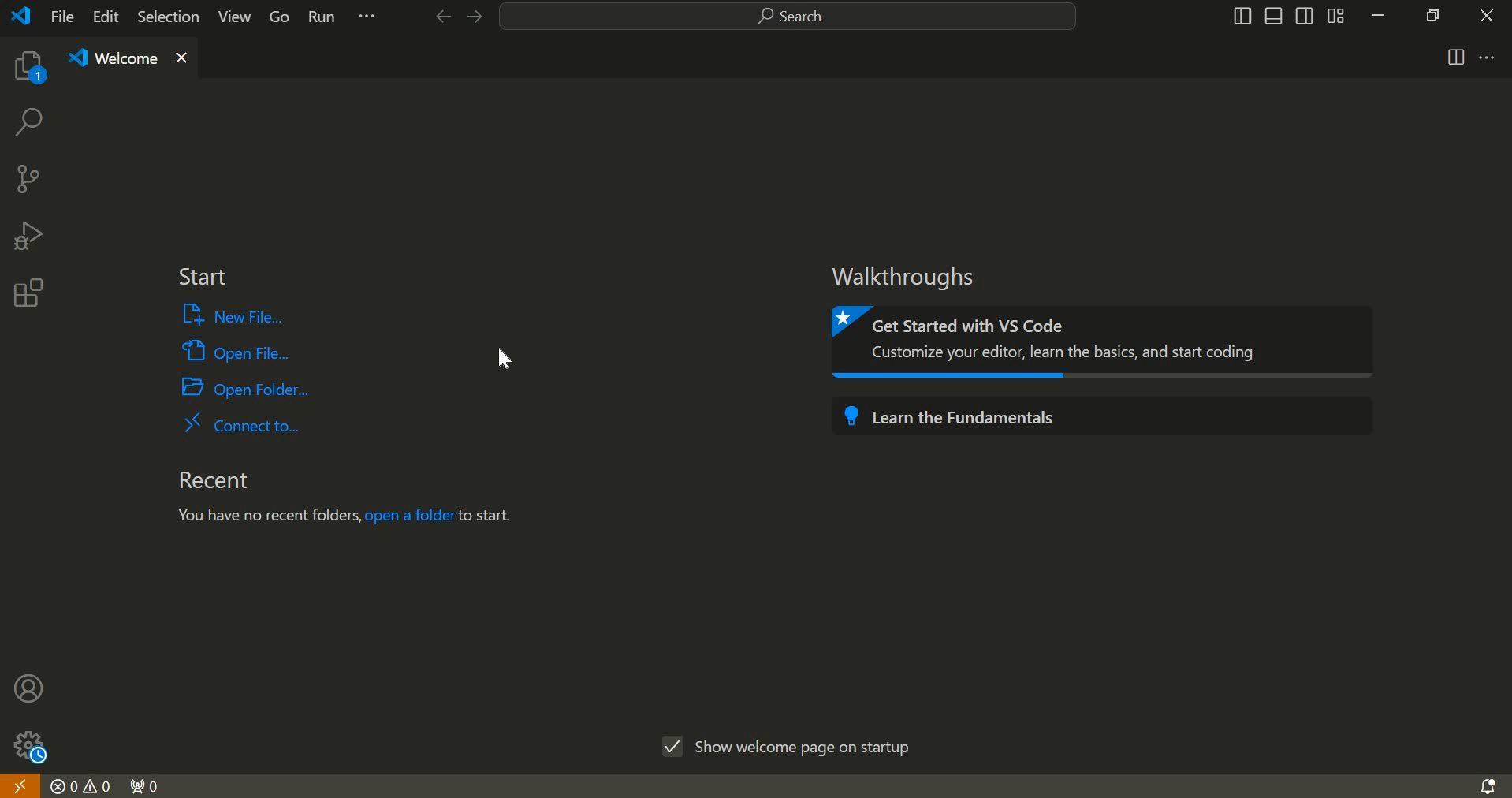 The image size is (1512, 798). I want to click on accounts, so click(30, 687).